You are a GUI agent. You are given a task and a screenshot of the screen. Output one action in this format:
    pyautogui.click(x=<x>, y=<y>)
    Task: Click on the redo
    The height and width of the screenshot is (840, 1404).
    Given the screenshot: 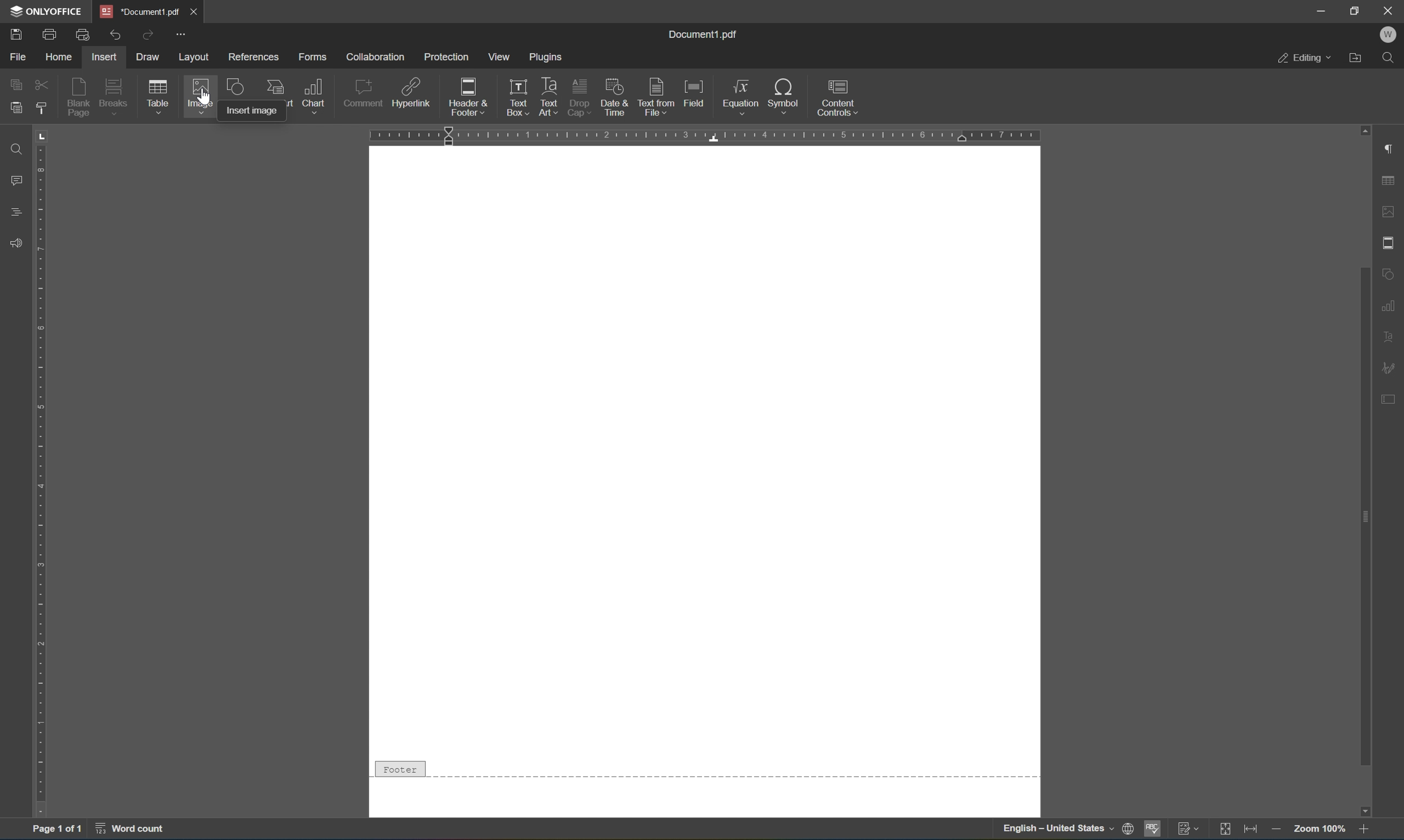 What is the action you would take?
    pyautogui.click(x=149, y=37)
    